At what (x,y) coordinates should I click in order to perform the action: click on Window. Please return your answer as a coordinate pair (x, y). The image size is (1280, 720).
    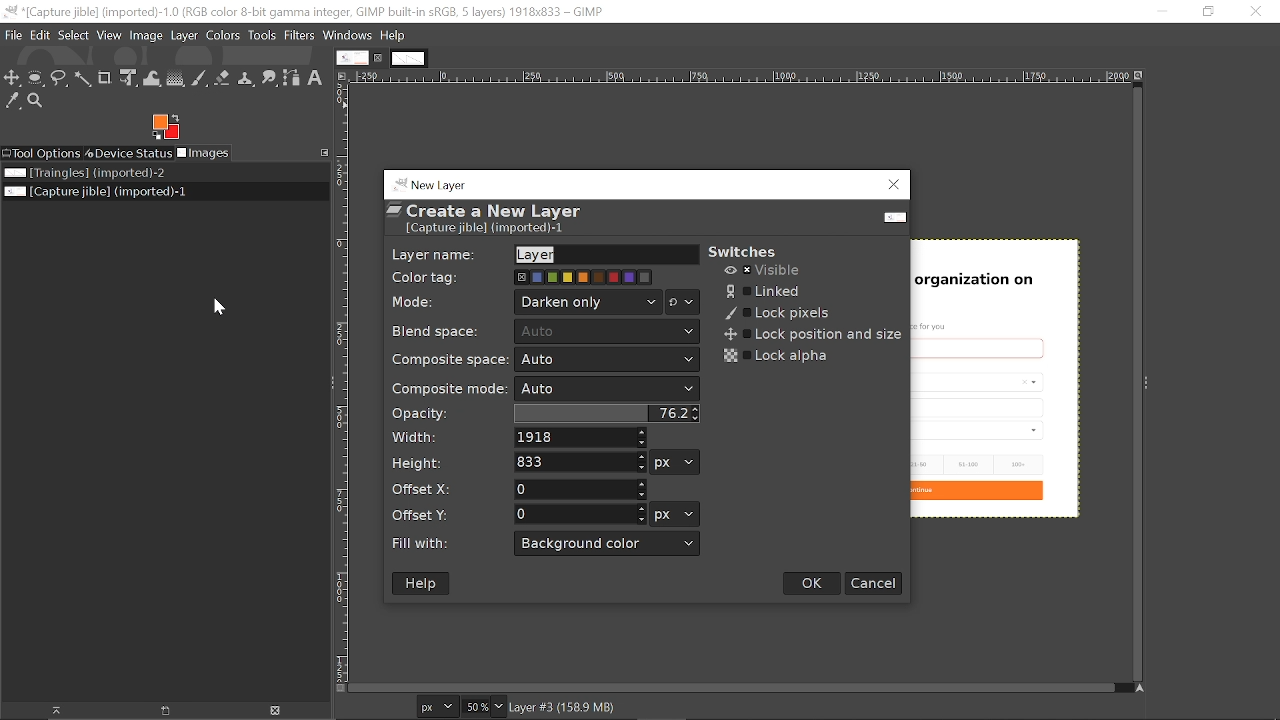
    Looking at the image, I should click on (349, 35).